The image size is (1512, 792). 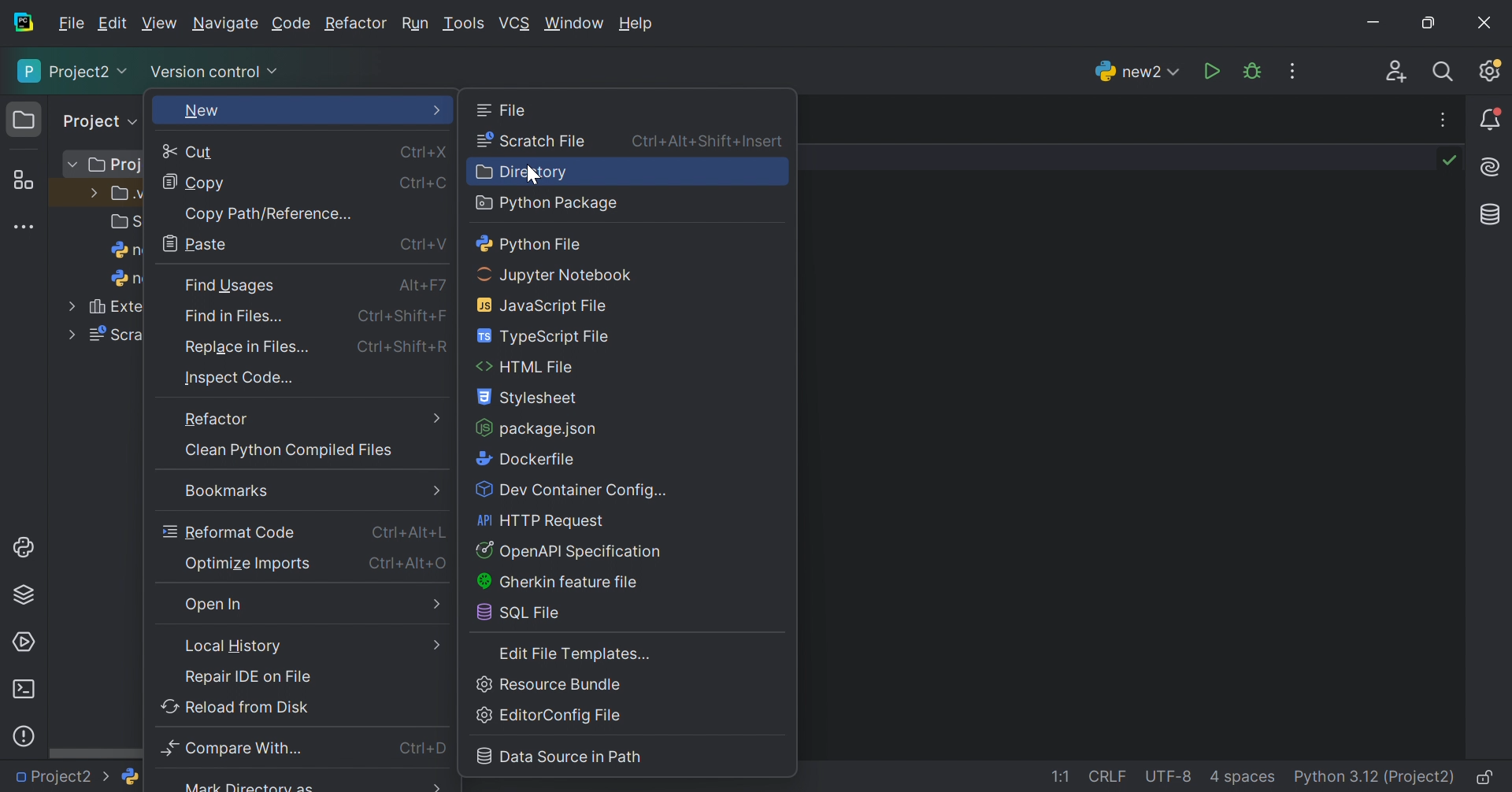 I want to click on Alt+F7, so click(x=425, y=287).